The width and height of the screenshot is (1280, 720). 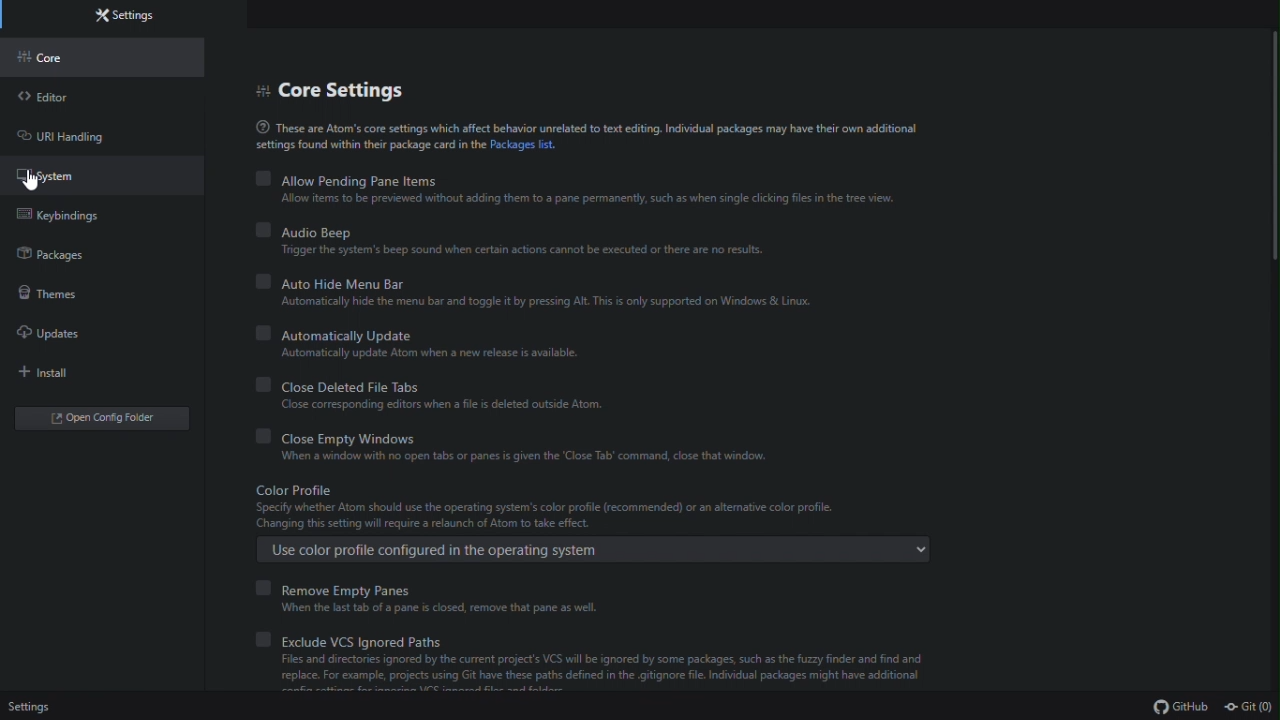 What do you see at coordinates (445, 588) in the screenshot?
I see `Remove empty panes` at bounding box center [445, 588].